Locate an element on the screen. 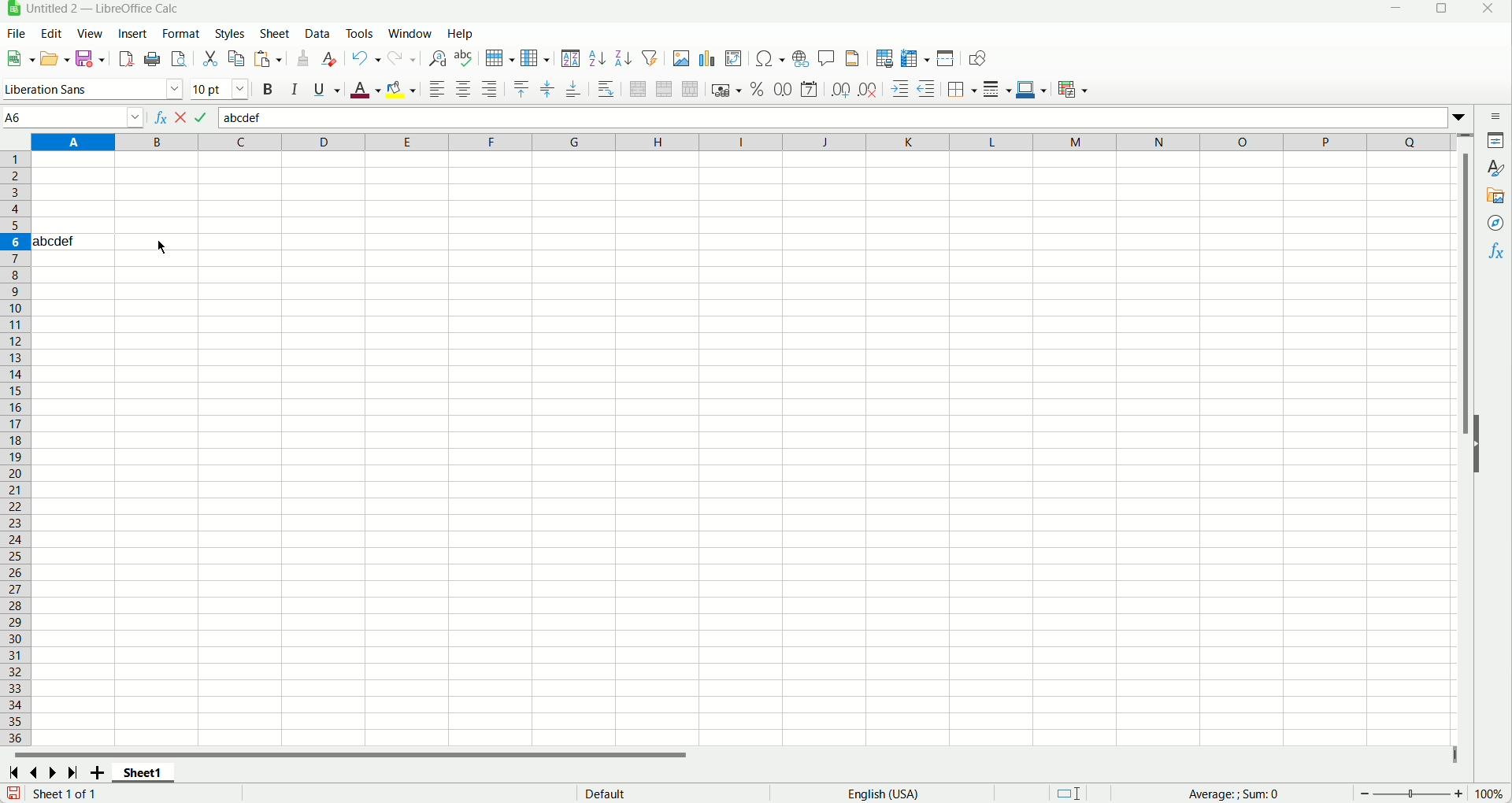 Image resolution: width=1512 pixels, height=803 pixels. italics is located at coordinates (292, 88).